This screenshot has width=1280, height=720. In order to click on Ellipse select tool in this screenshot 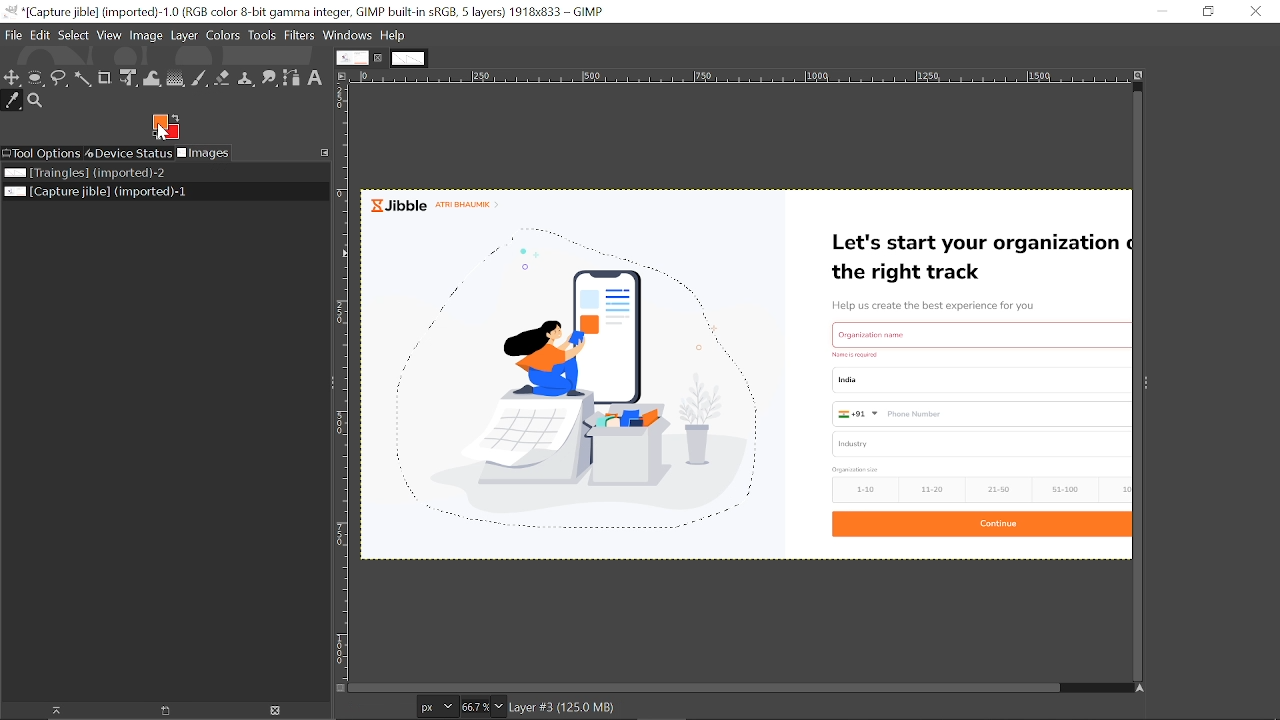, I will do `click(35, 80)`.